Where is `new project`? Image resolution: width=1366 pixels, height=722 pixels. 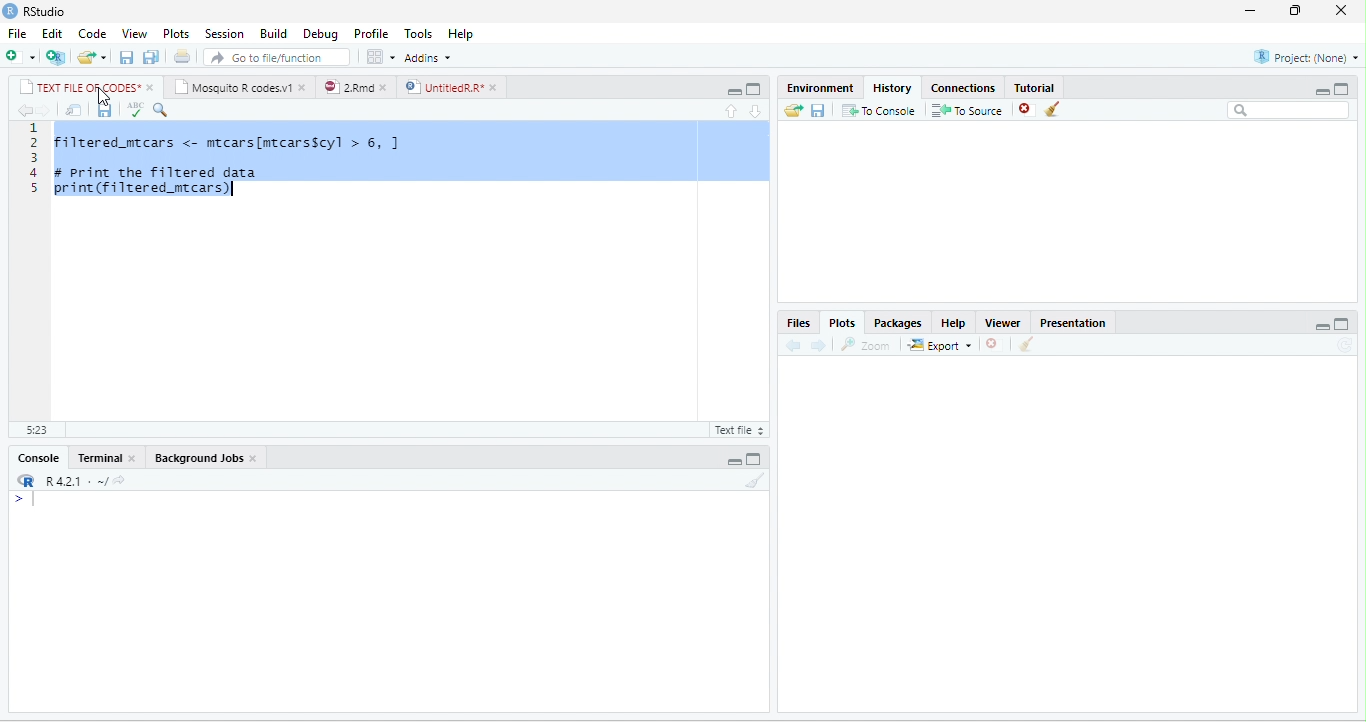
new project is located at coordinates (55, 57).